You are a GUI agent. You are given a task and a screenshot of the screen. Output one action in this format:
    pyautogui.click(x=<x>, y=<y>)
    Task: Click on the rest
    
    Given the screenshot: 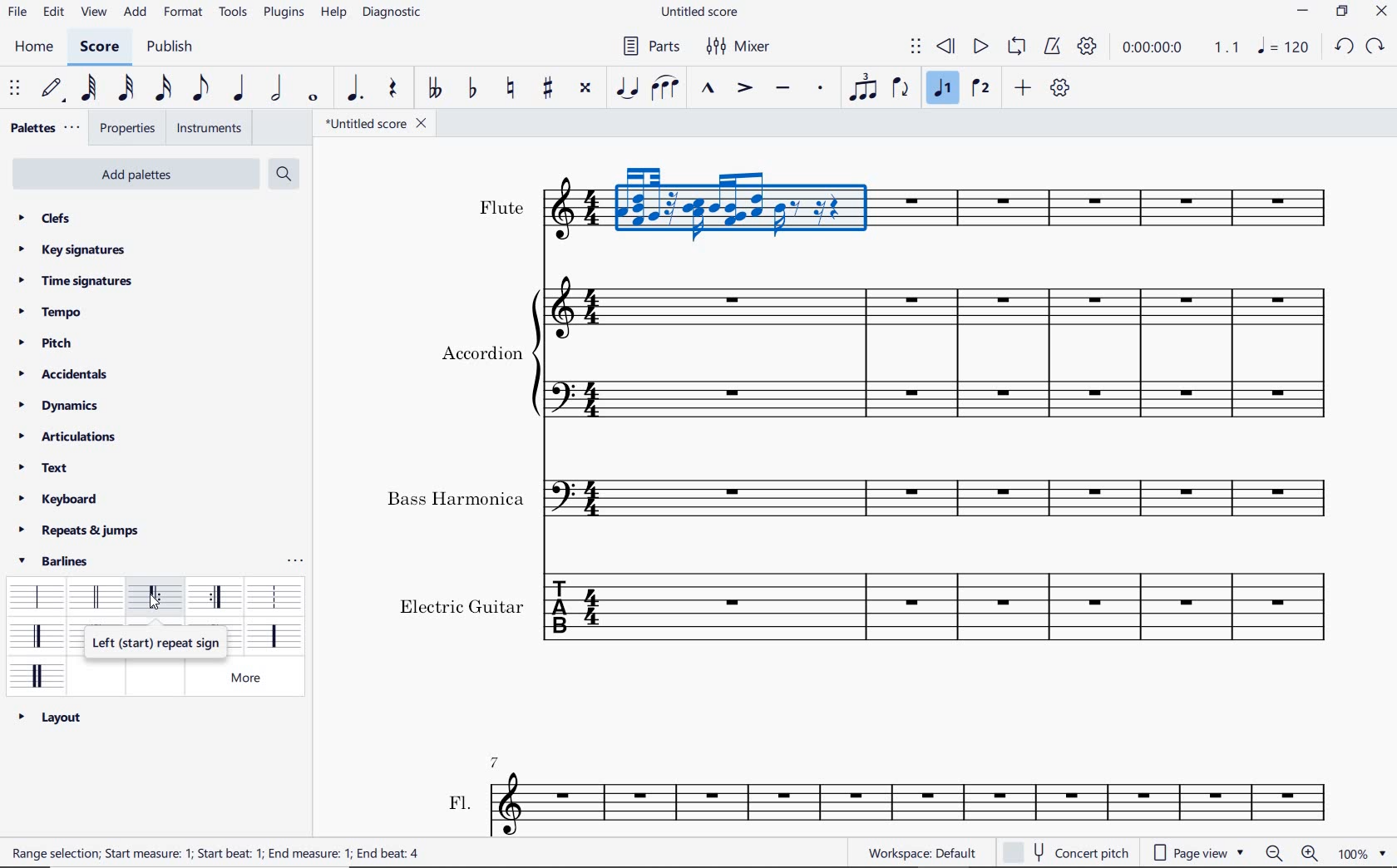 What is the action you would take?
    pyautogui.click(x=391, y=88)
    